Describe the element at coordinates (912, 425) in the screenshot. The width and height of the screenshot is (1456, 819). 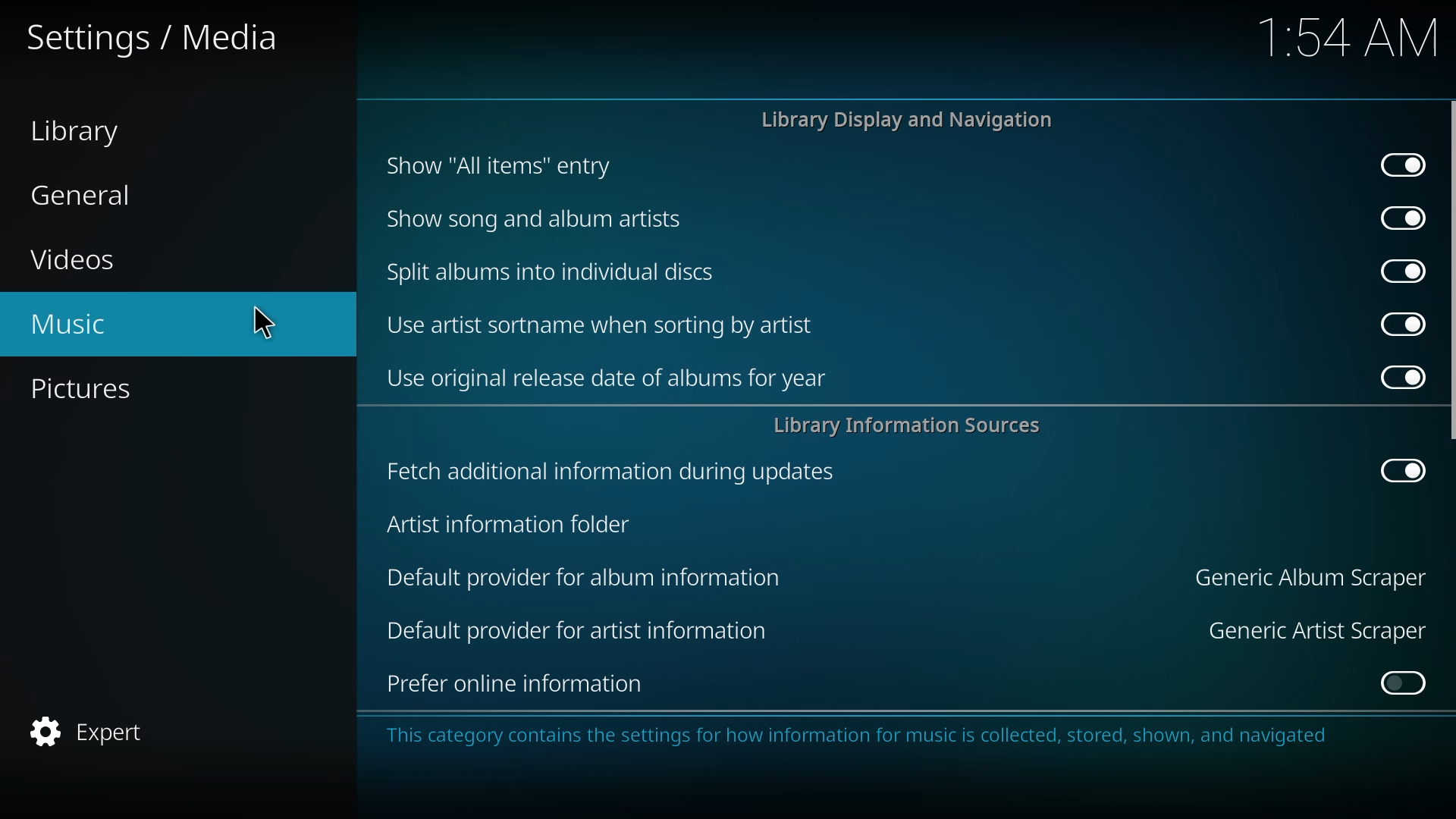
I see `library info sources` at that location.